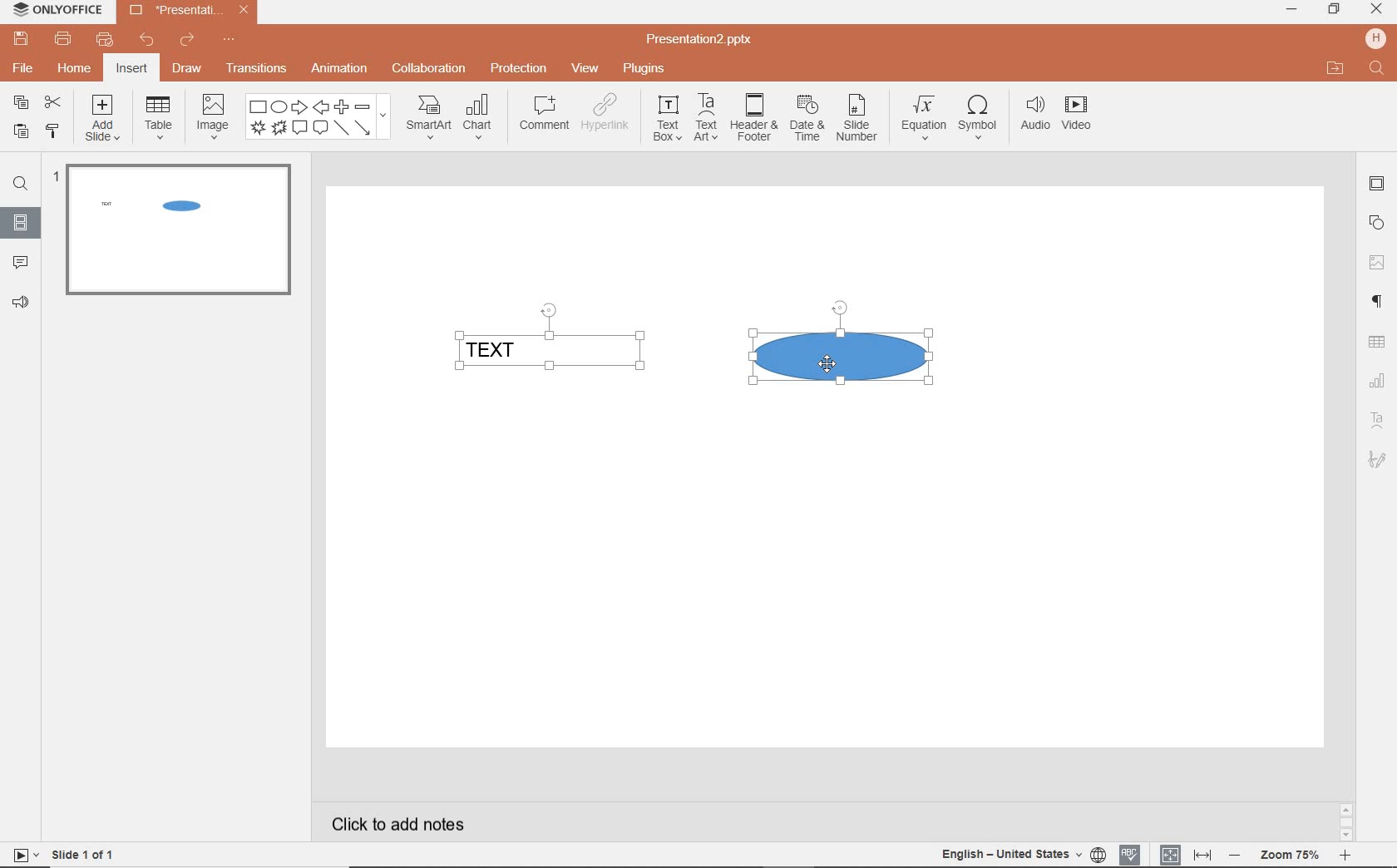  I want to click on equation, so click(921, 121).